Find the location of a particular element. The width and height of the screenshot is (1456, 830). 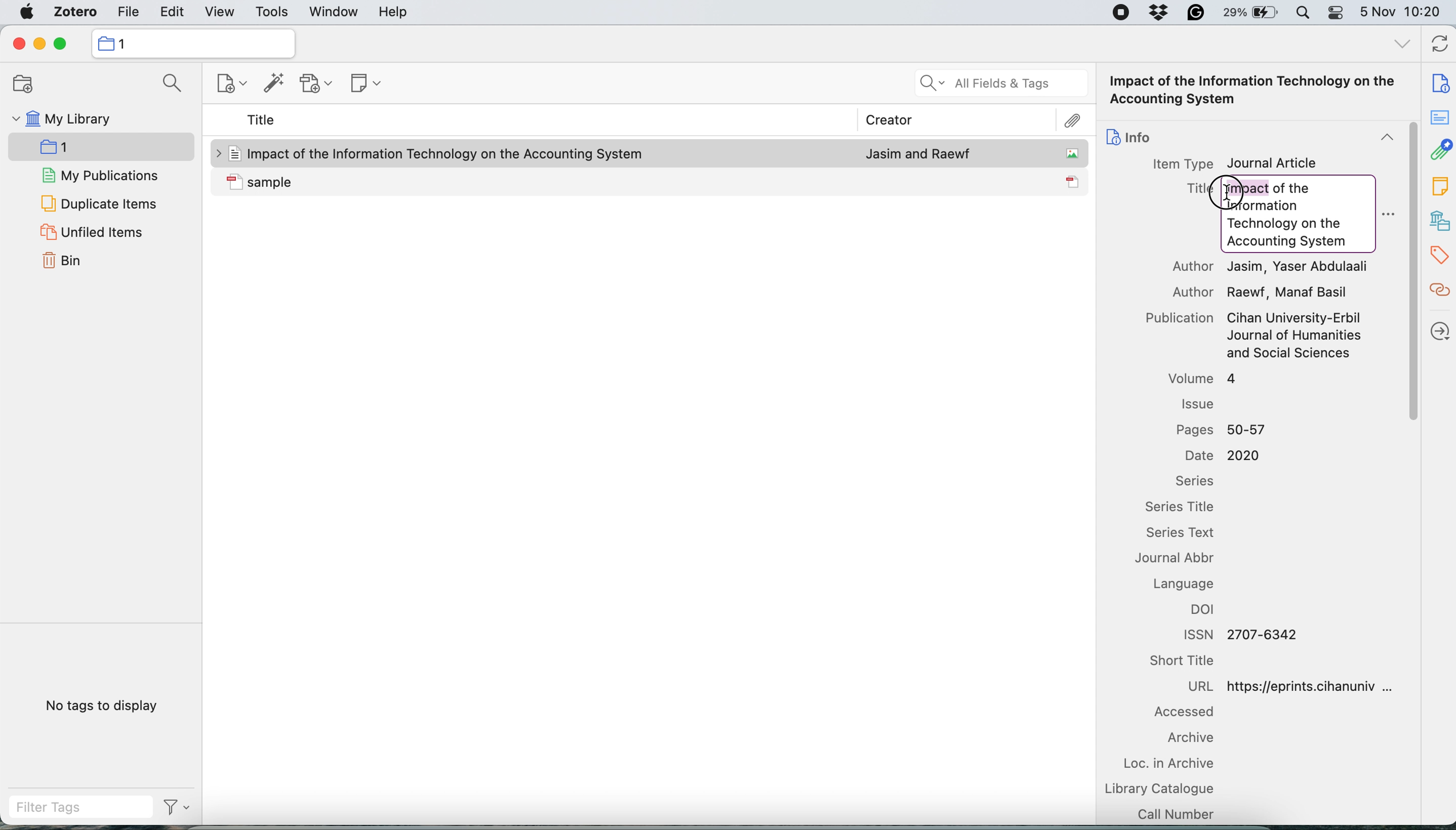

series text is located at coordinates (1187, 533).